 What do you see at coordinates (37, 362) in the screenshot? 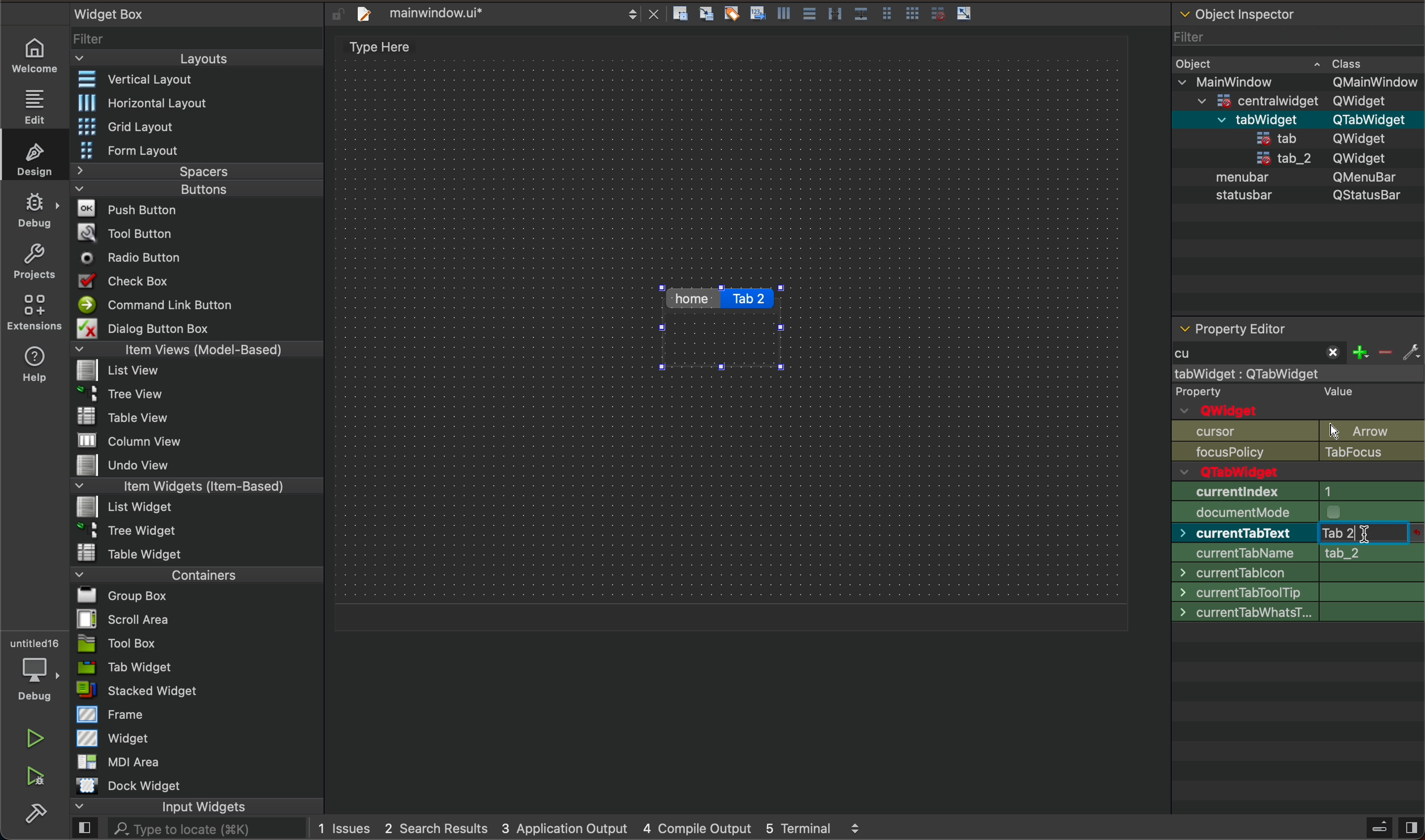
I see `help` at bounding box center [37, 362].